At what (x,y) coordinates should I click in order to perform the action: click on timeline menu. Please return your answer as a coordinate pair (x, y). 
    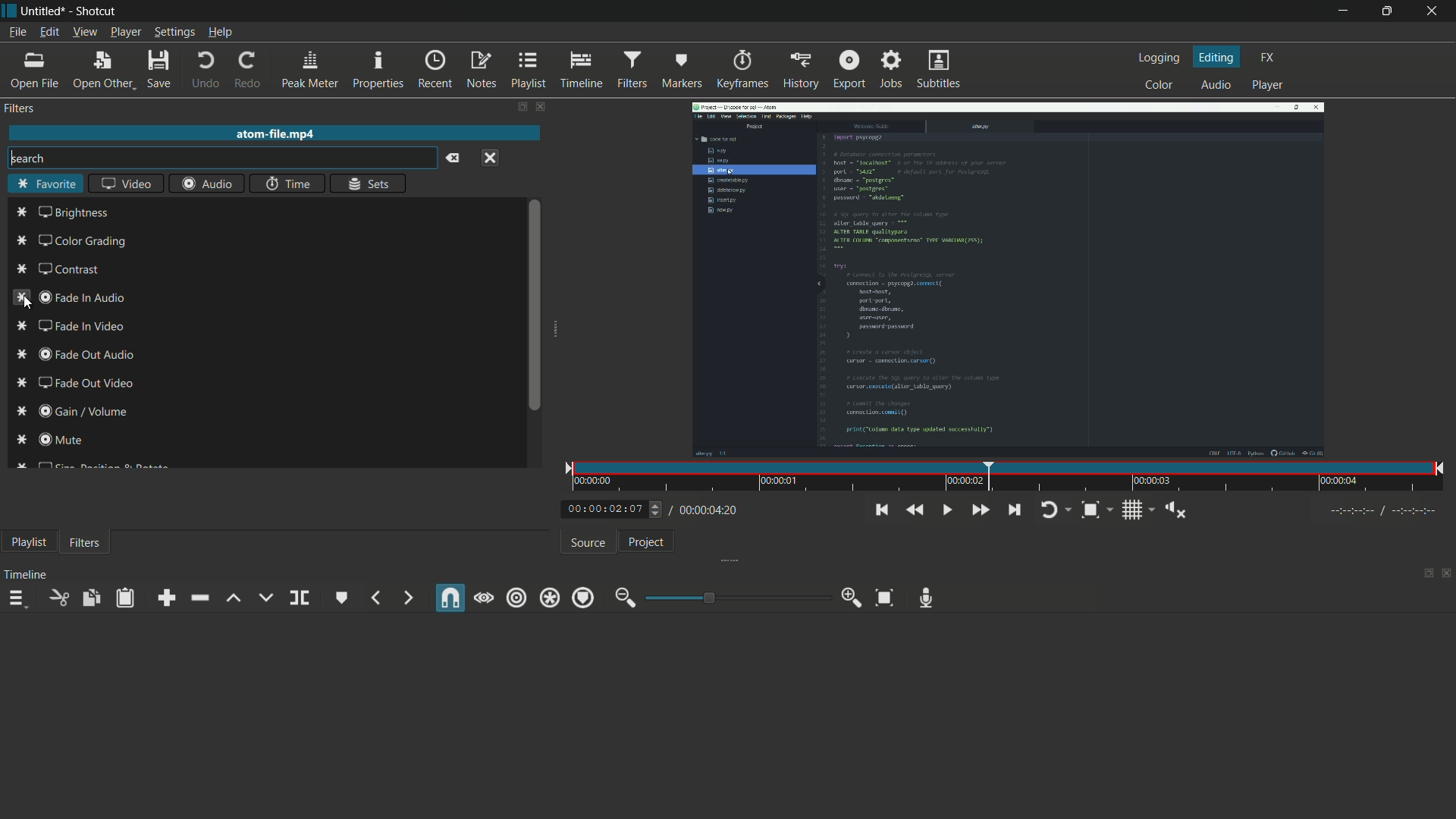
    Looking at the image, I should click on (16, 598).